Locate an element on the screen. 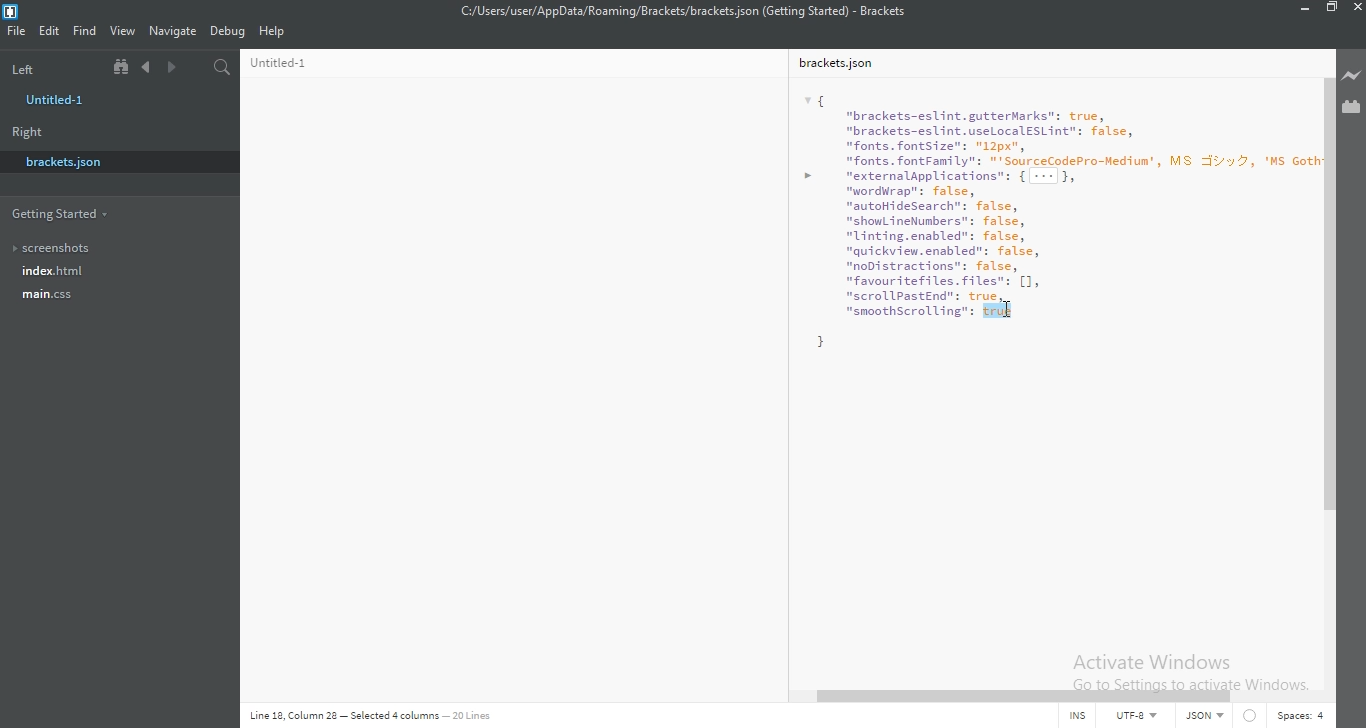 The width and height of the screenshot is (1366, 728). Debug is located at coordinates (229, 30).